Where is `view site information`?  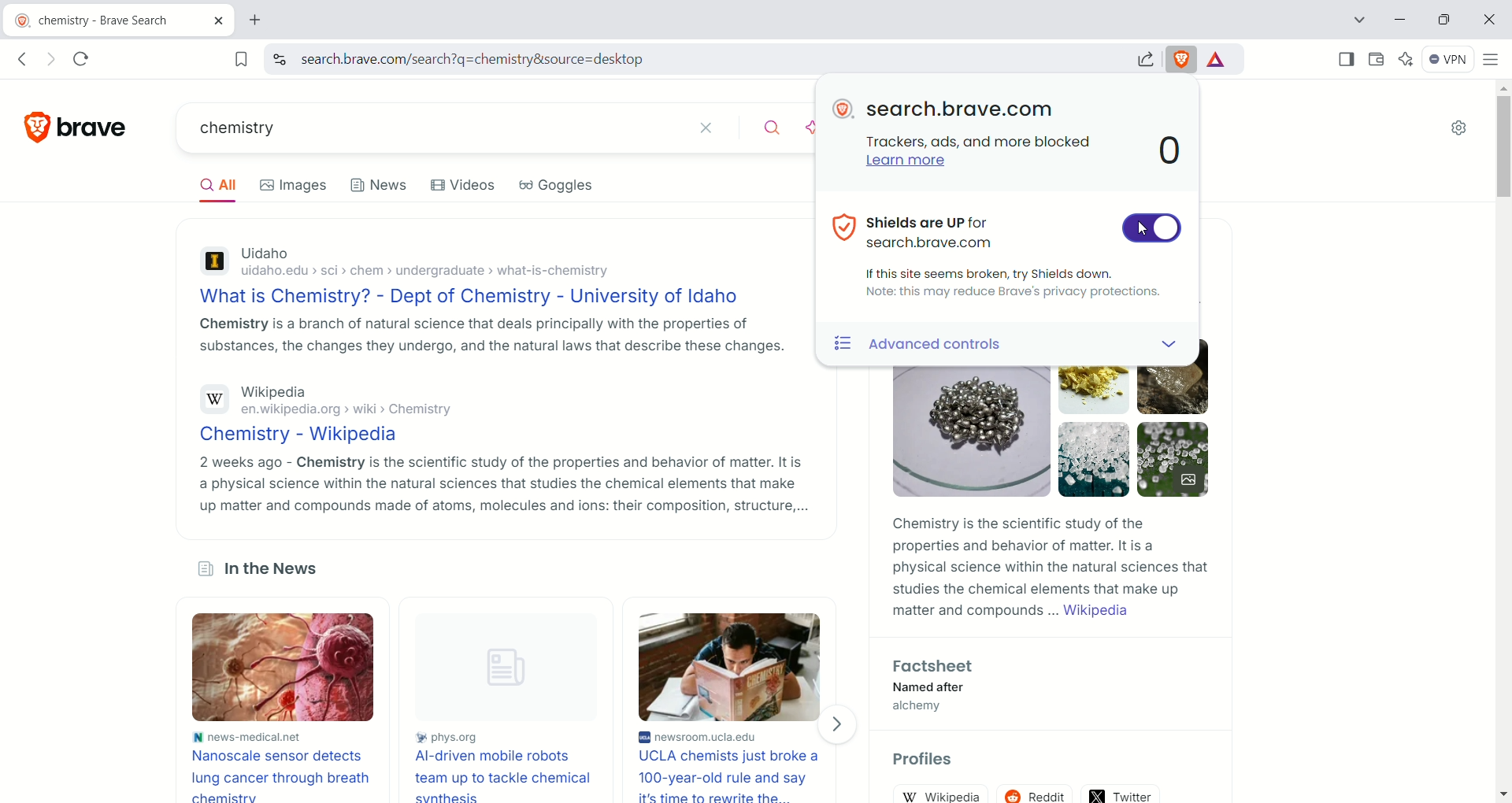
view site information is located at coordinates (279, 59).